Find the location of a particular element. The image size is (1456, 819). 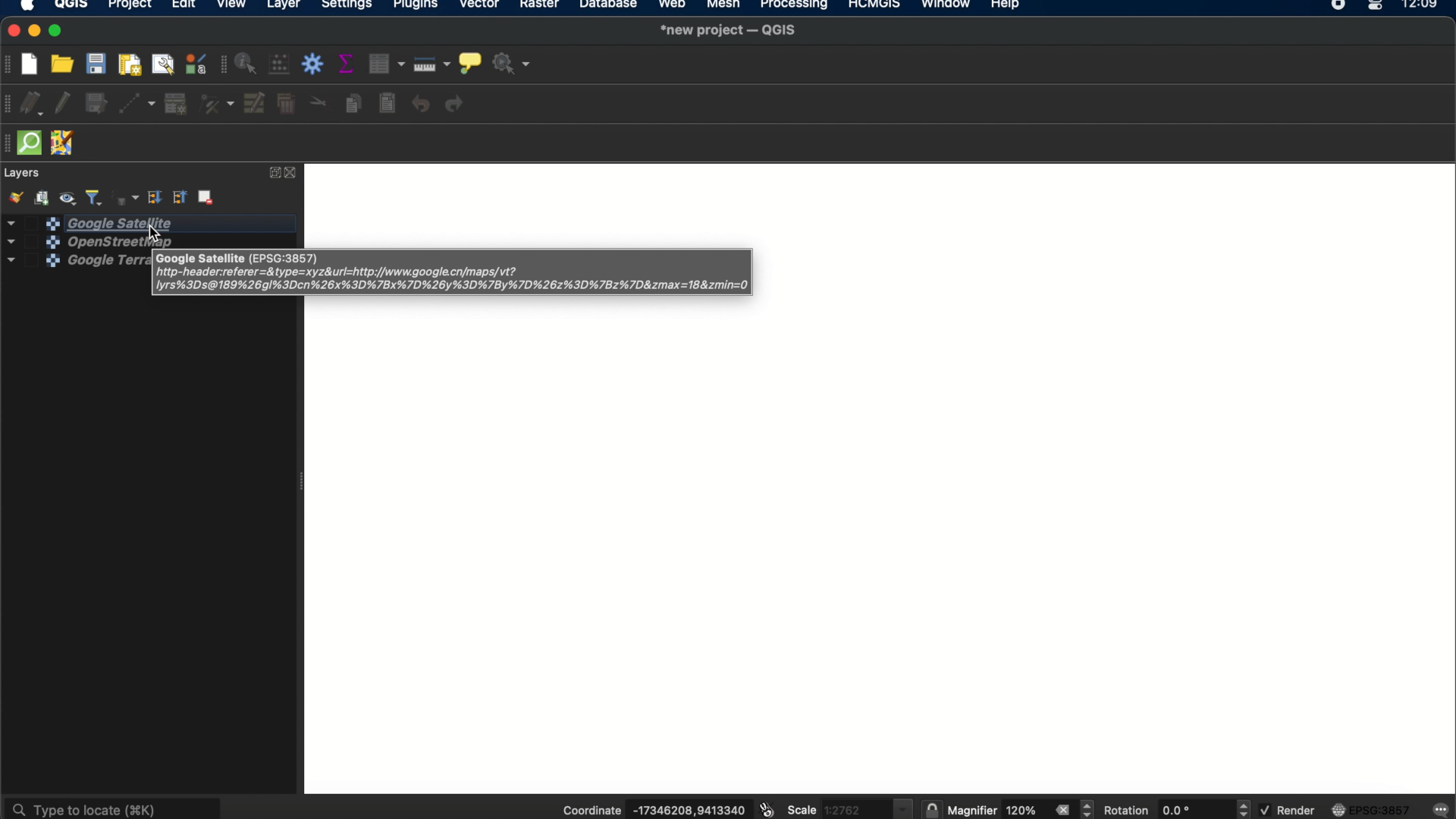

close is located at coordinates (11, 31).